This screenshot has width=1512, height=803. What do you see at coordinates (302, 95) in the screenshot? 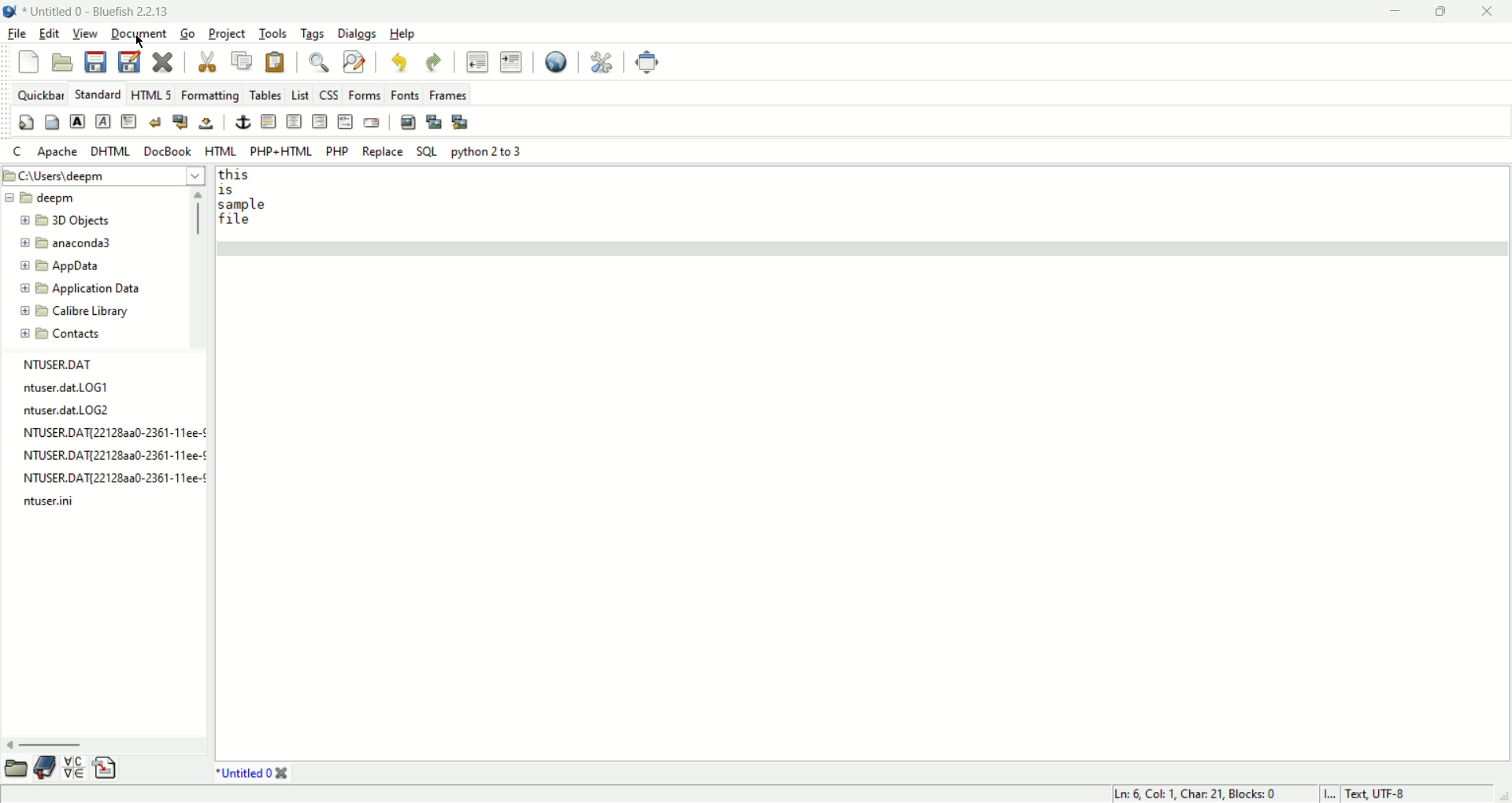
I see `LIST` at bounding box center [302, 95].